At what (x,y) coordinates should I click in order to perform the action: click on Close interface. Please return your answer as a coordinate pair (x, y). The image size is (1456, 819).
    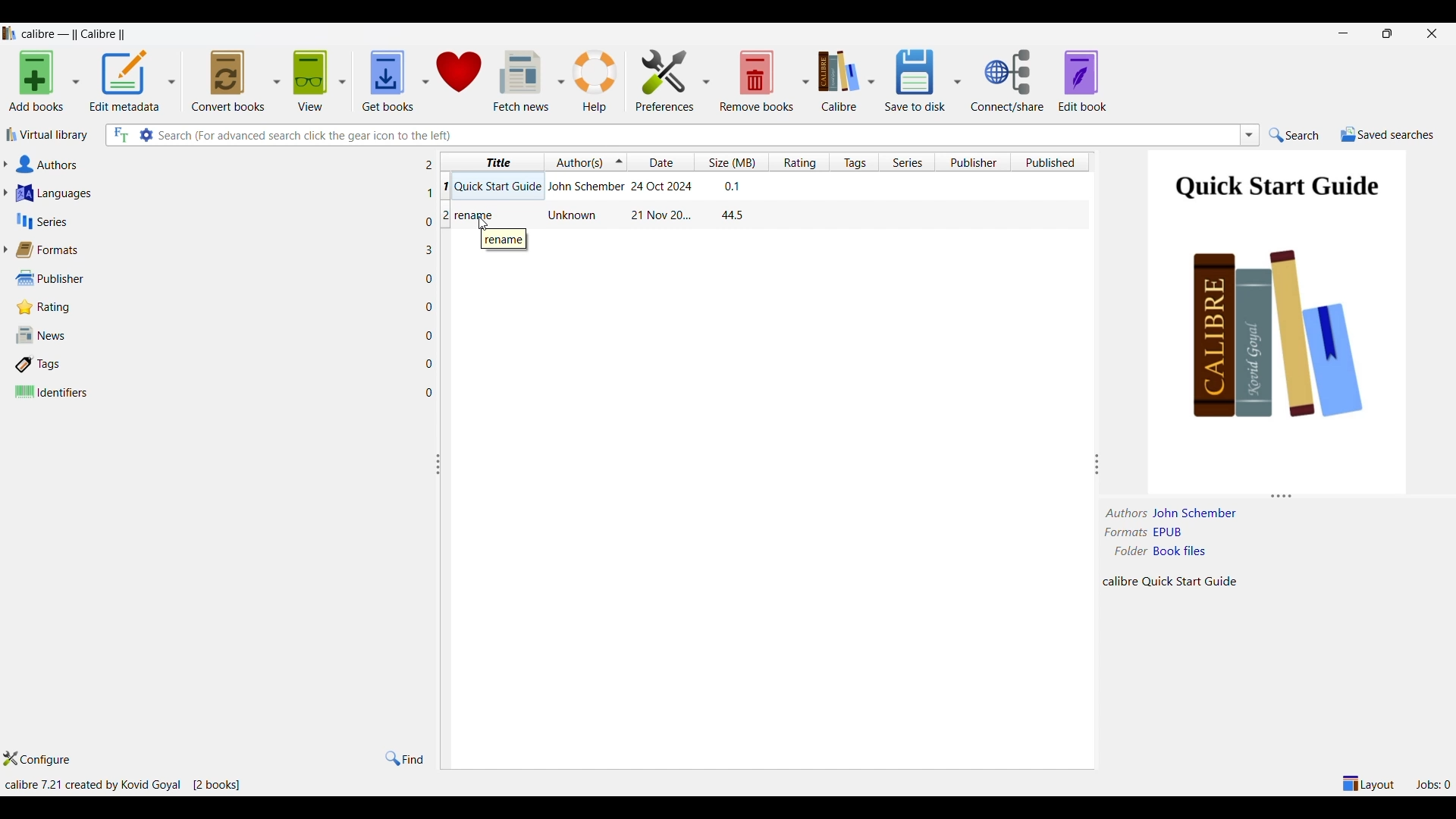
    Looking at the image, I should click on (1432, 33).